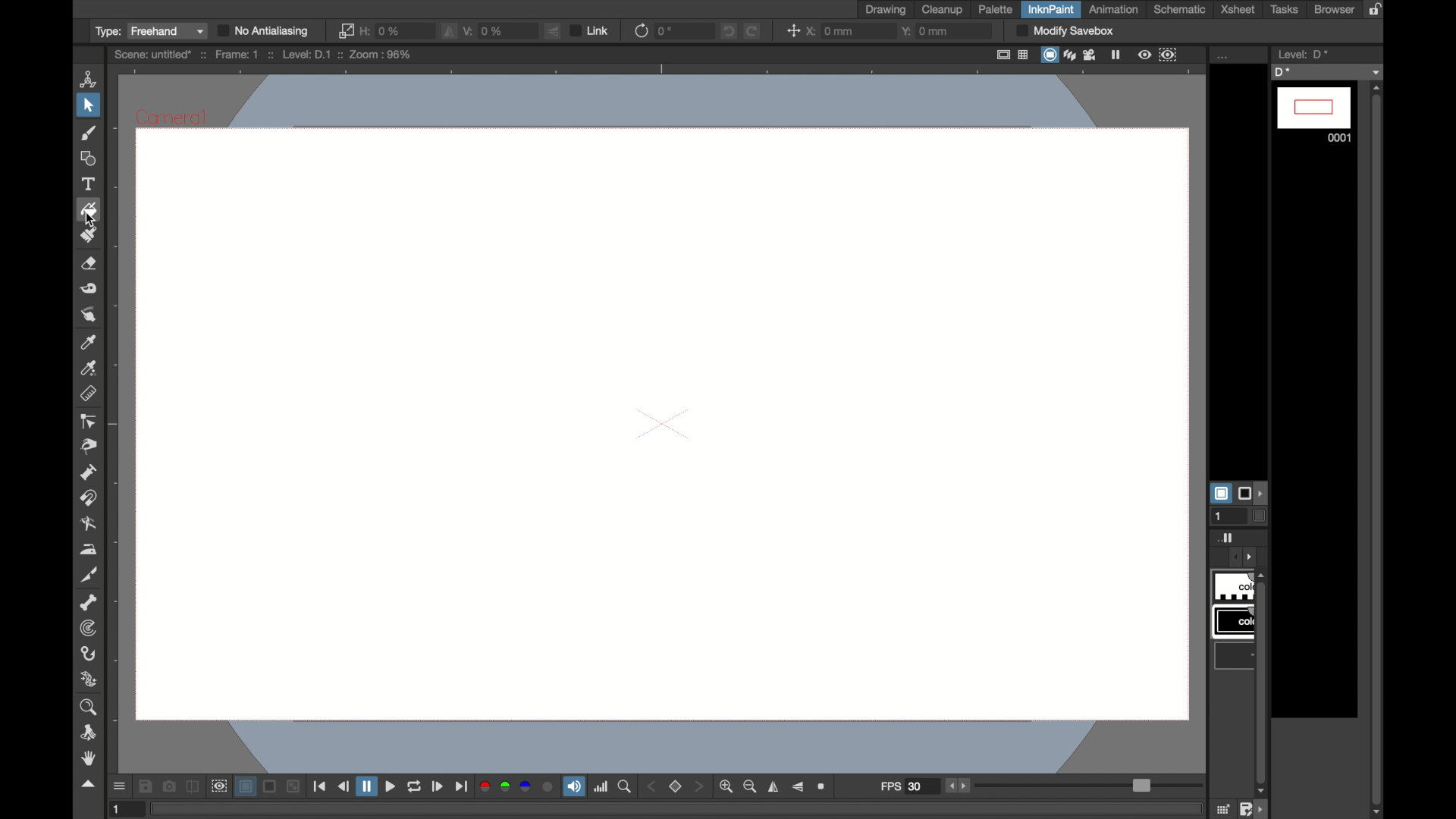  I want to click on last frame, so click(461, 786).